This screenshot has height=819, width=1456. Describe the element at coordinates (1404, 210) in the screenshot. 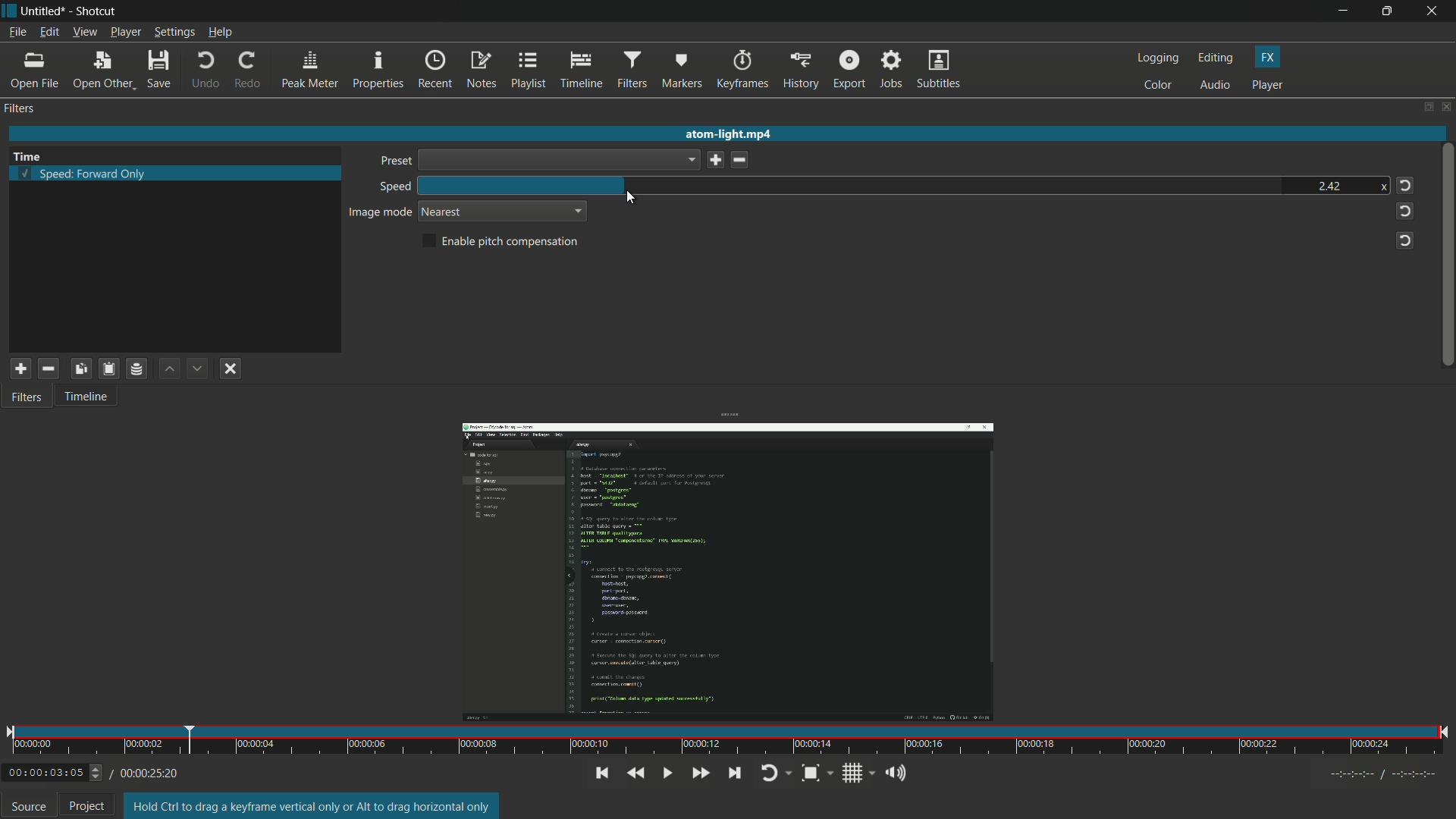

I see `reset to default` at that location.